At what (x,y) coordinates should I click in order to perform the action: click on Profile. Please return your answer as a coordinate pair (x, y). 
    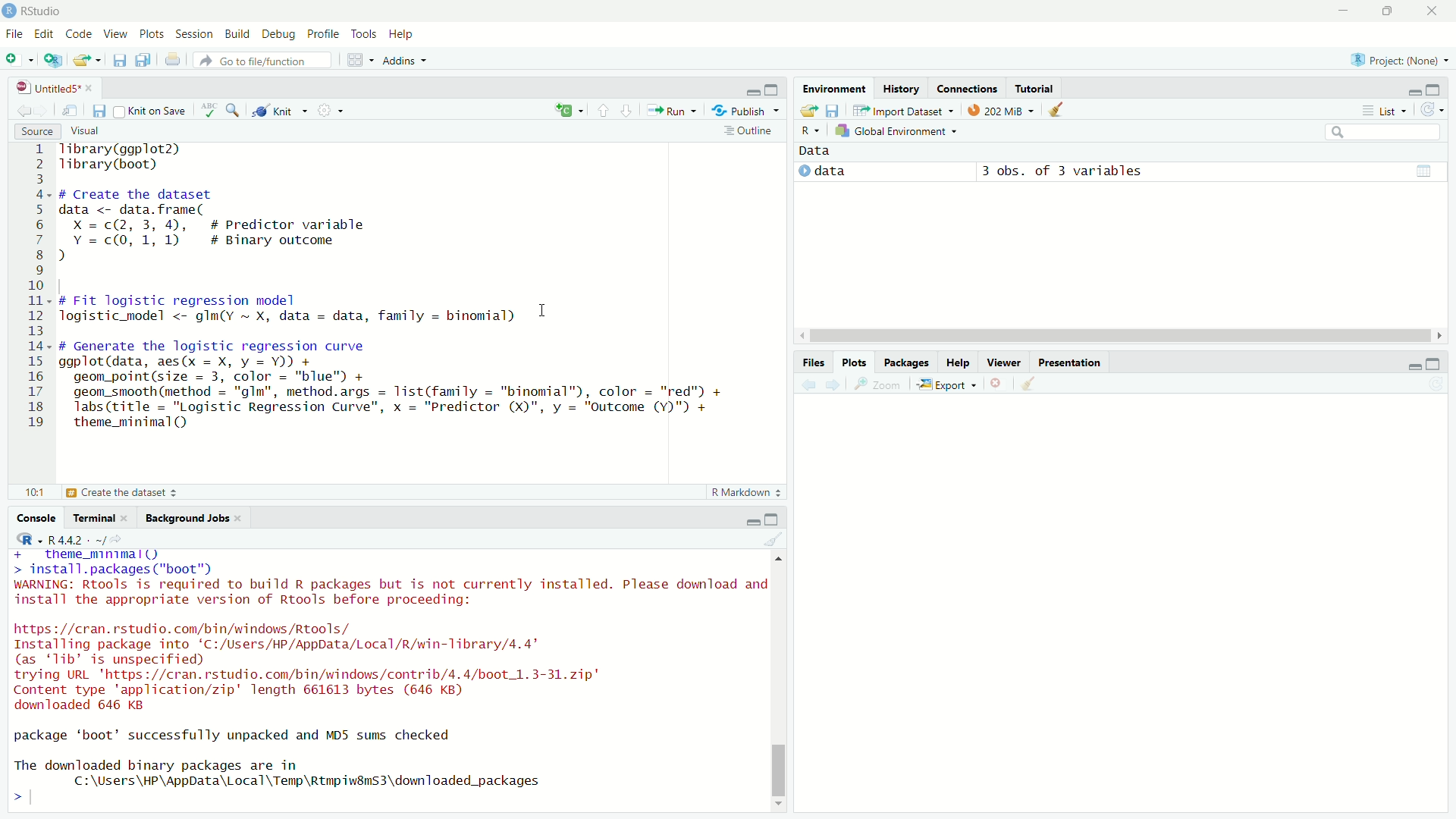
    Looking at the image, I should click on (322, 33).